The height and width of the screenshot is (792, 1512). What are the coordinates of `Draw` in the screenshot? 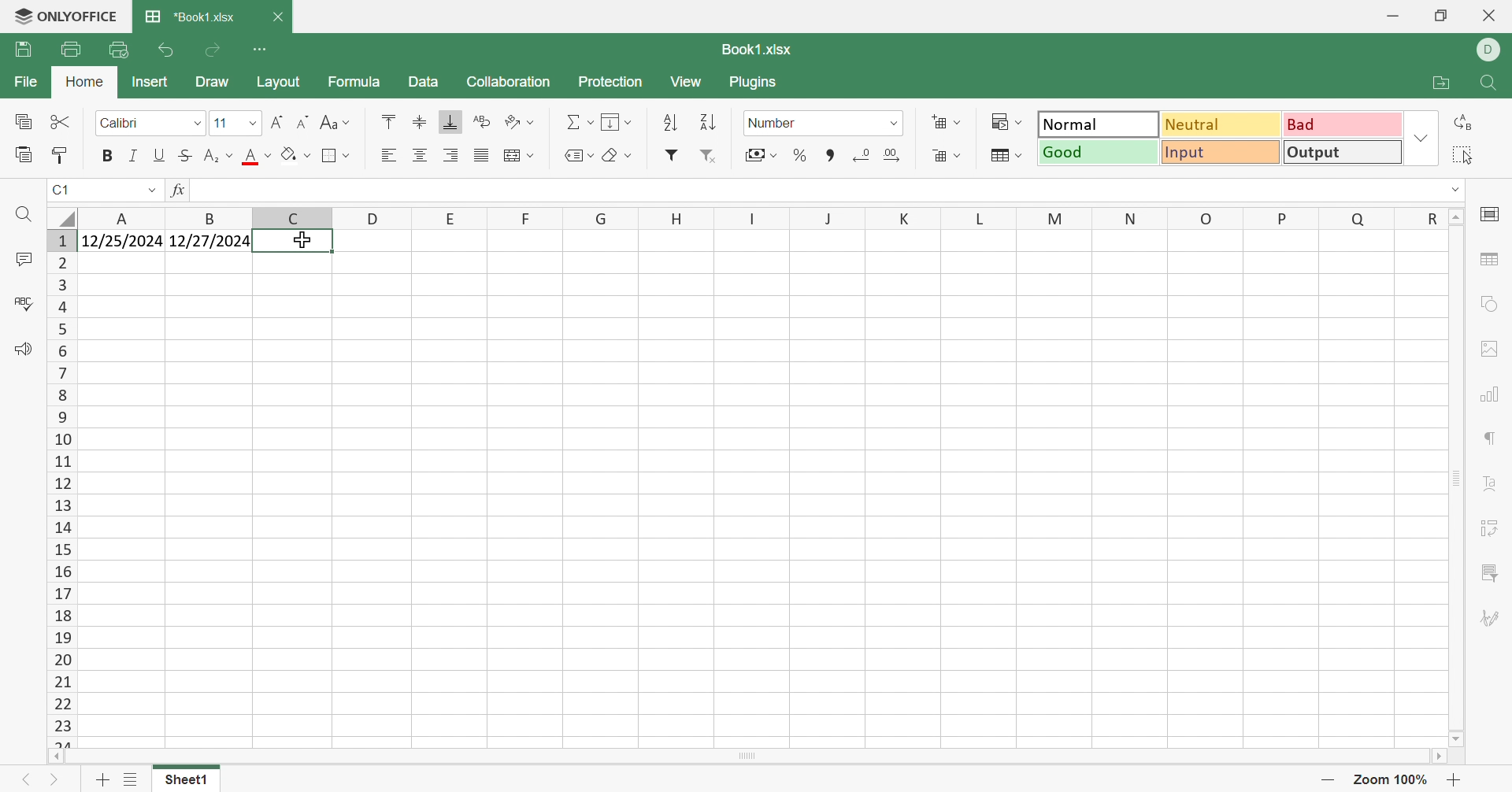 It's located at (210, 80).